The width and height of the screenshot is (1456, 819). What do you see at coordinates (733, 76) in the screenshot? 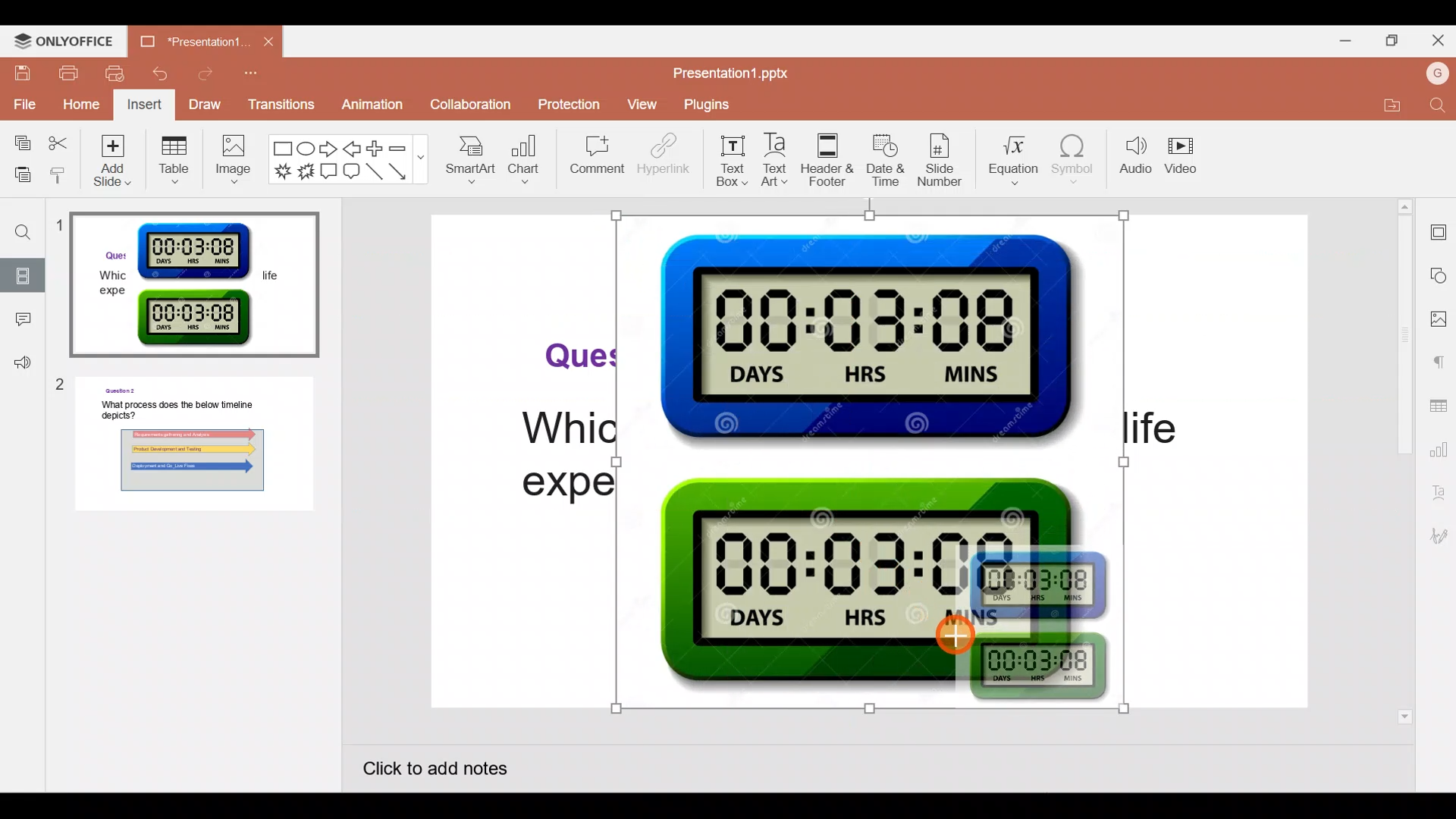
I see `Presentation1.pptx` at bounding box center [733, 76].